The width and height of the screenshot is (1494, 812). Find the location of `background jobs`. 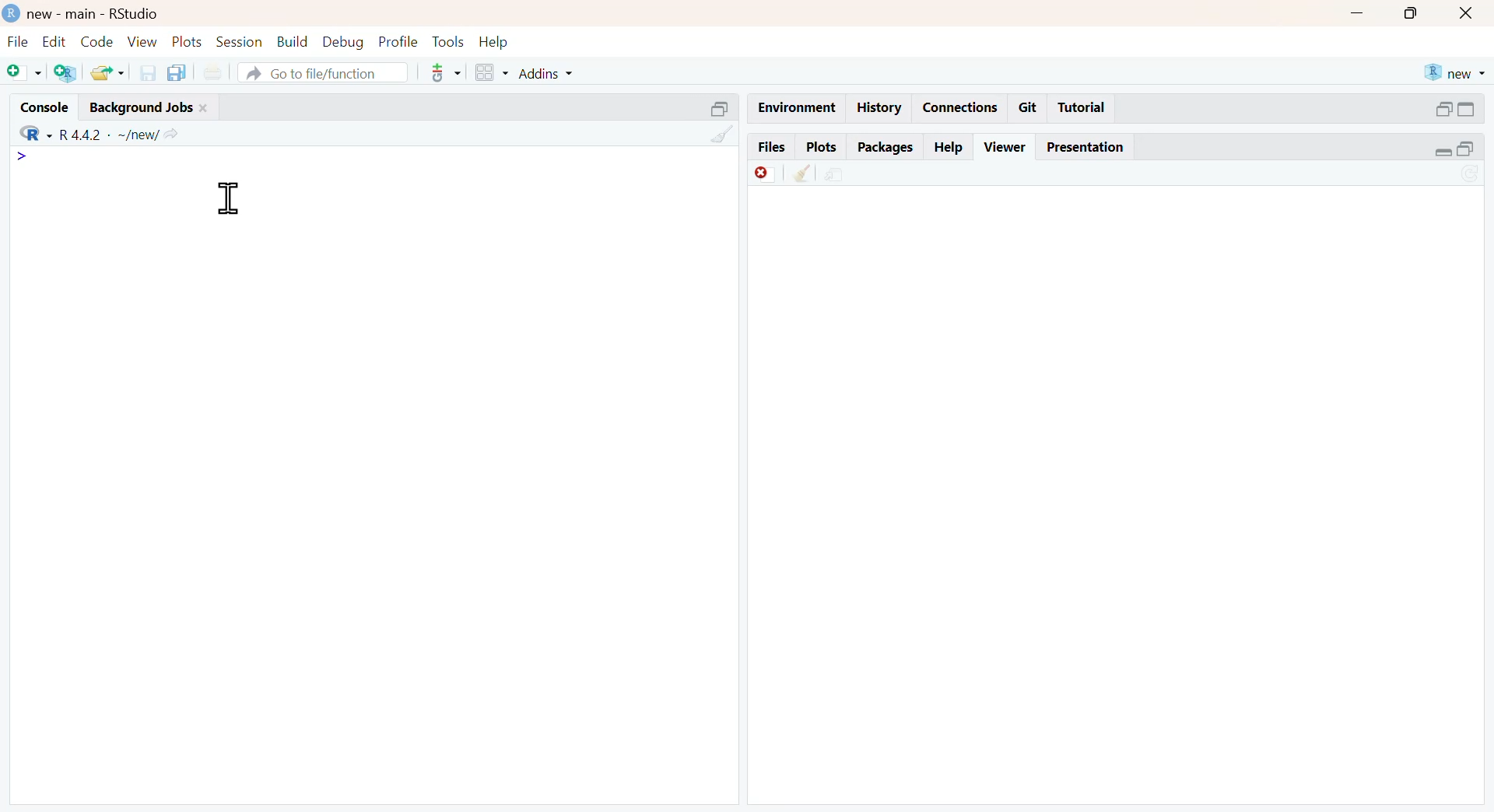

background jobs is located at coordinates (142, 108).